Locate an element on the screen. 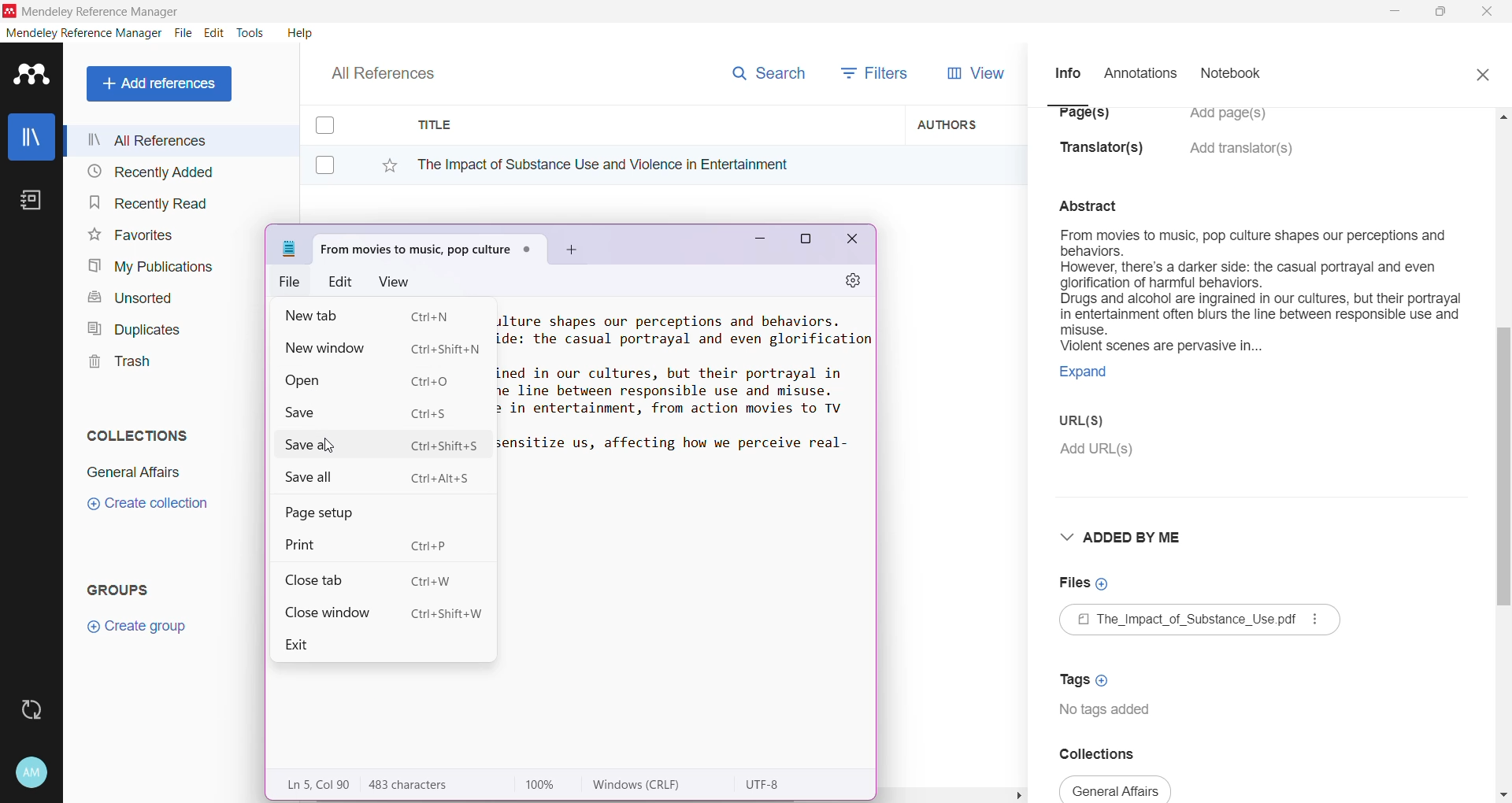 The image size is (1512, 803). cursor is located at coordinates (326, 445).